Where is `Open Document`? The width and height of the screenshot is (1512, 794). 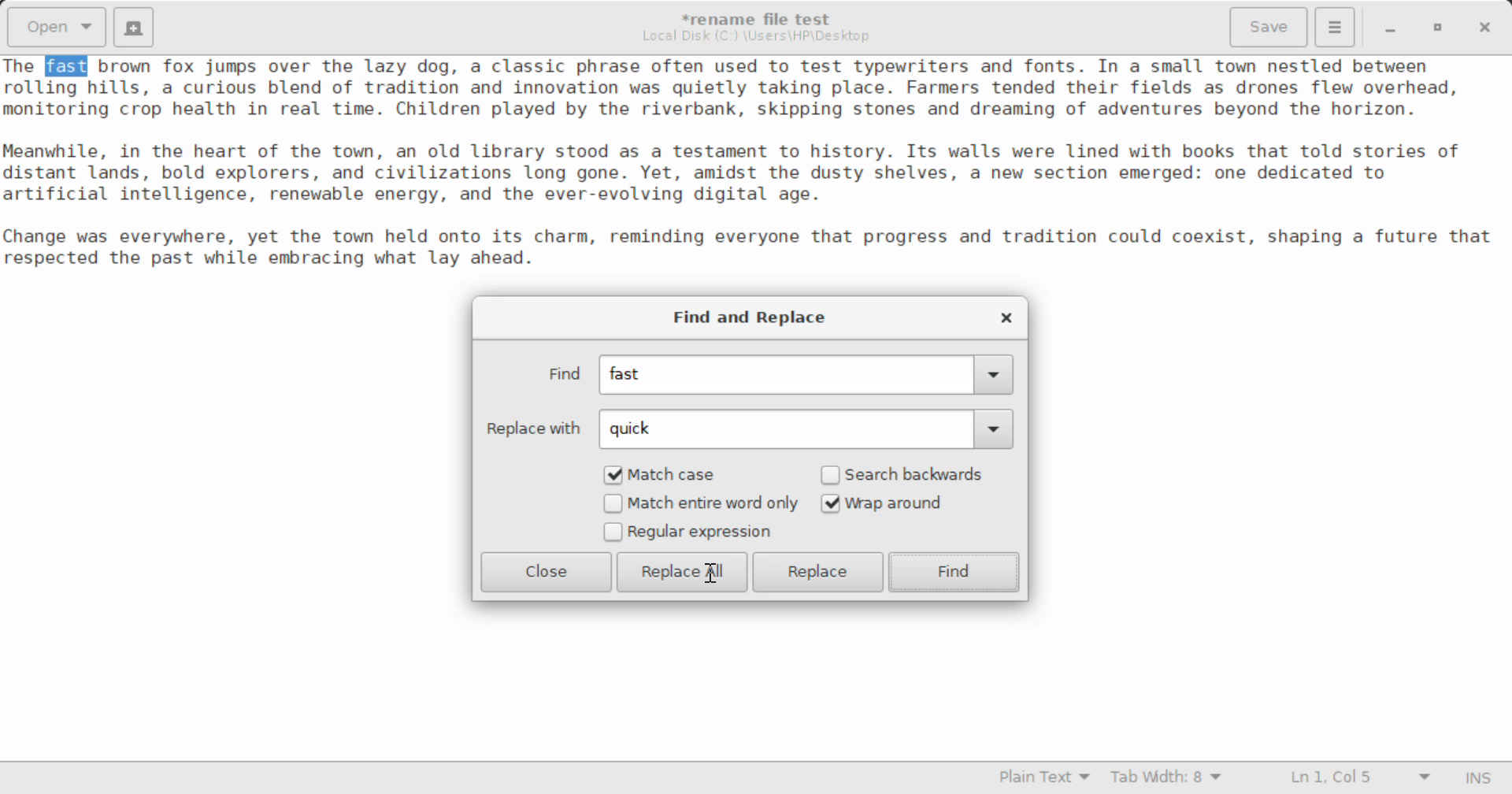
Open Document is located at coordinates (54, 27).